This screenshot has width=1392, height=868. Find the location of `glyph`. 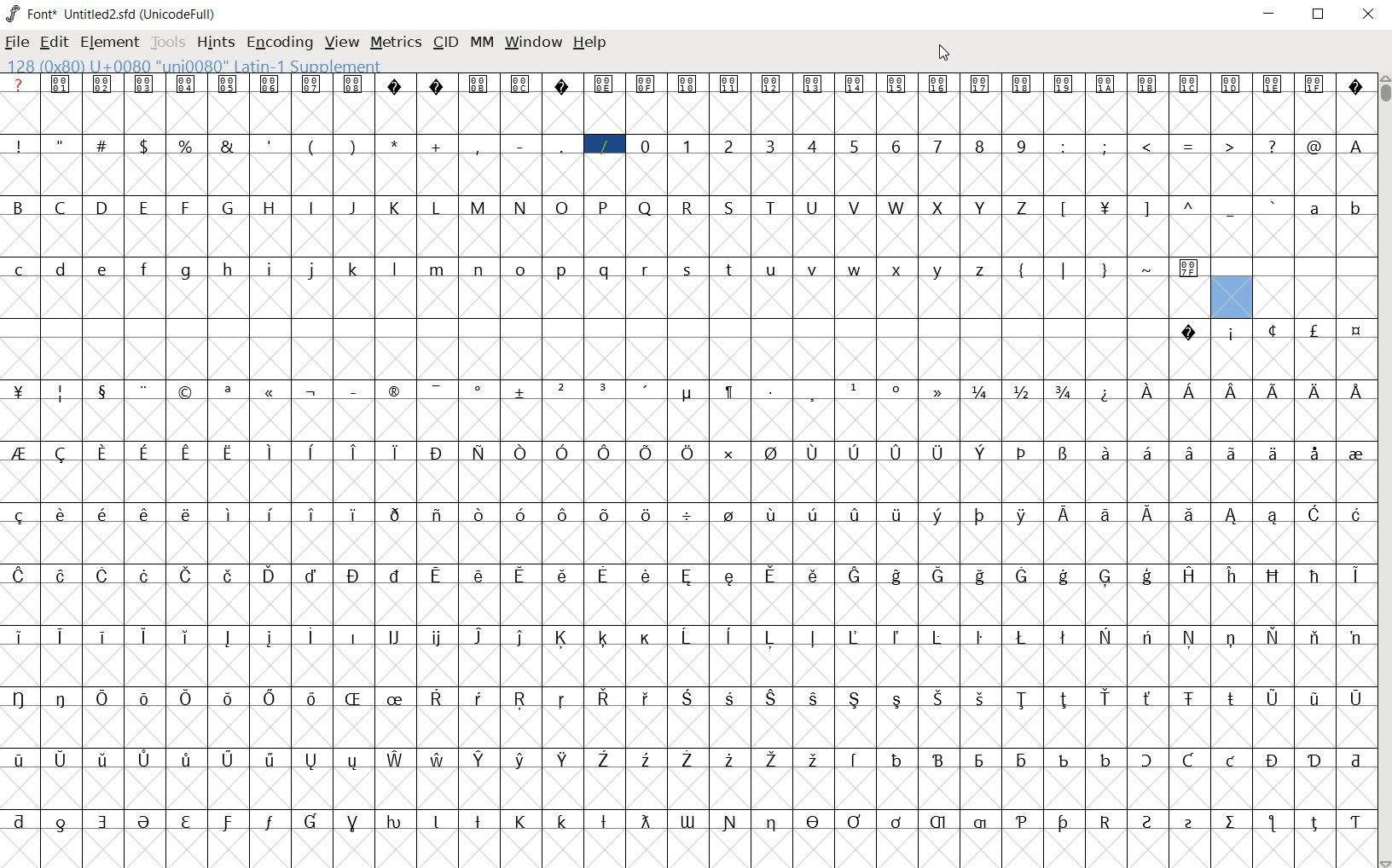

glyph is located at coordinates (854, 148).